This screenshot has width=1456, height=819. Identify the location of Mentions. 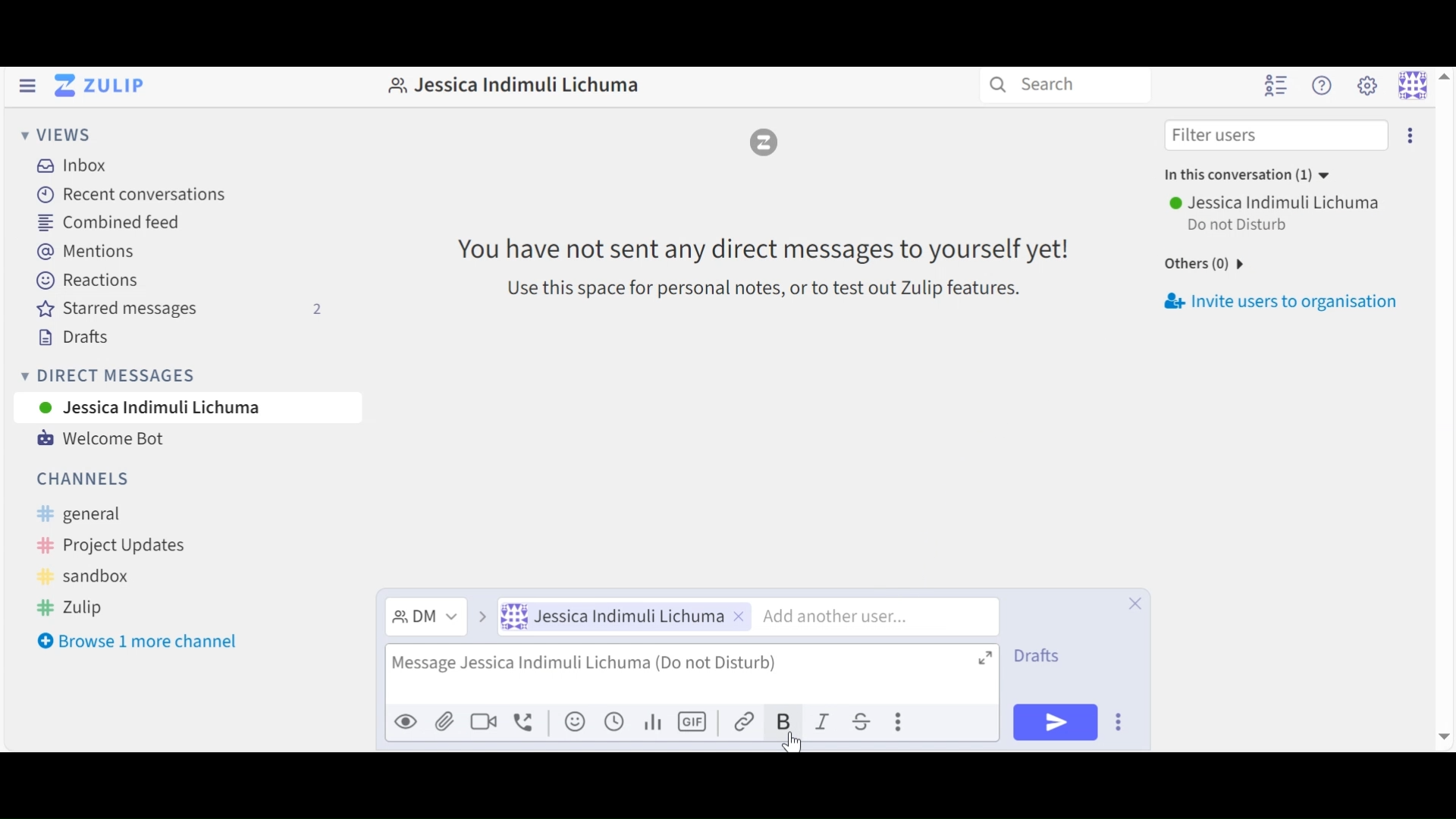
(86, 253).